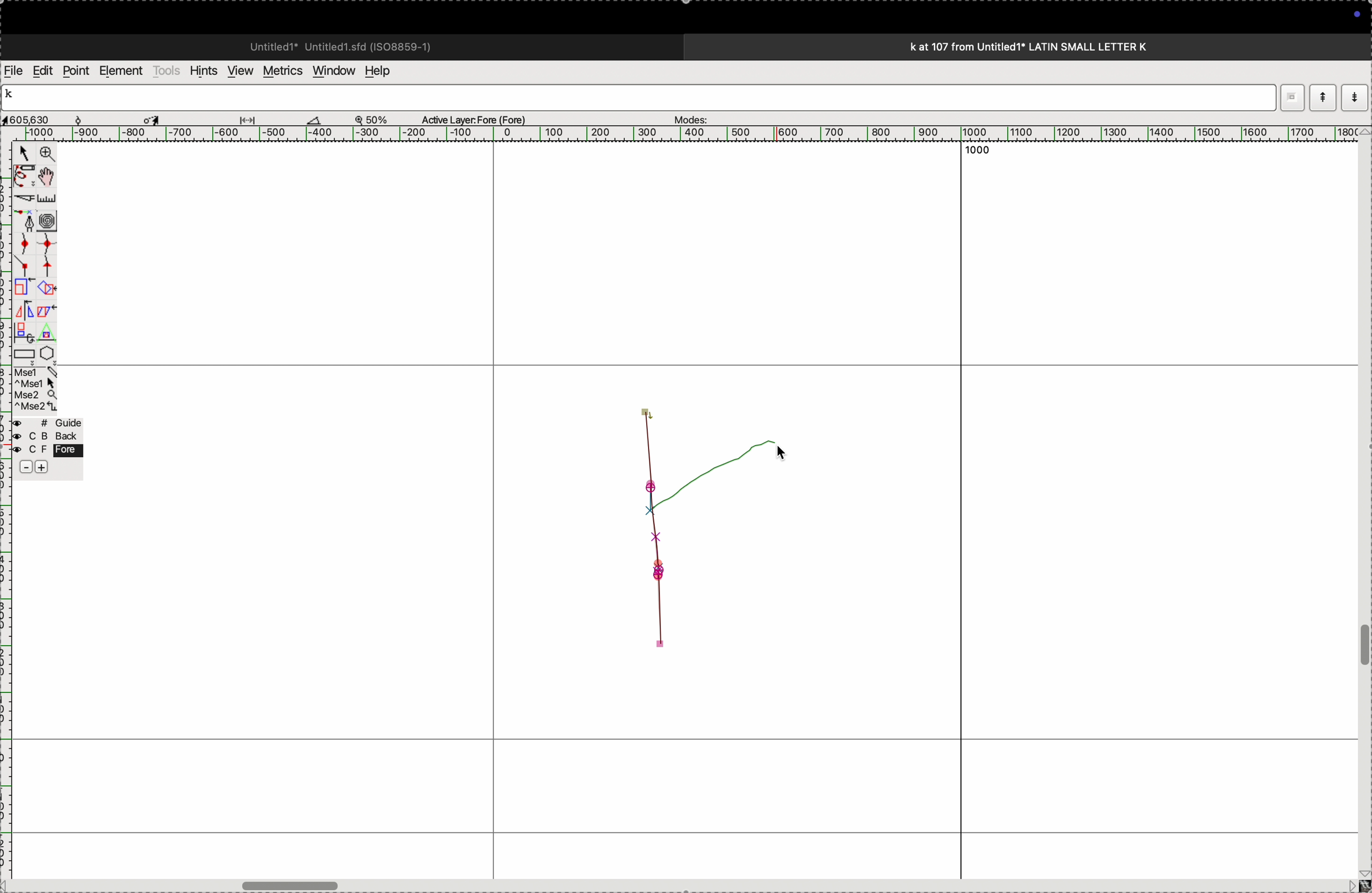 The height and width of the screenshot is (893, 1372). What do you see at coordinates (14, 96) in the screenshot?
I see `K` at bounding box center [14, 96].